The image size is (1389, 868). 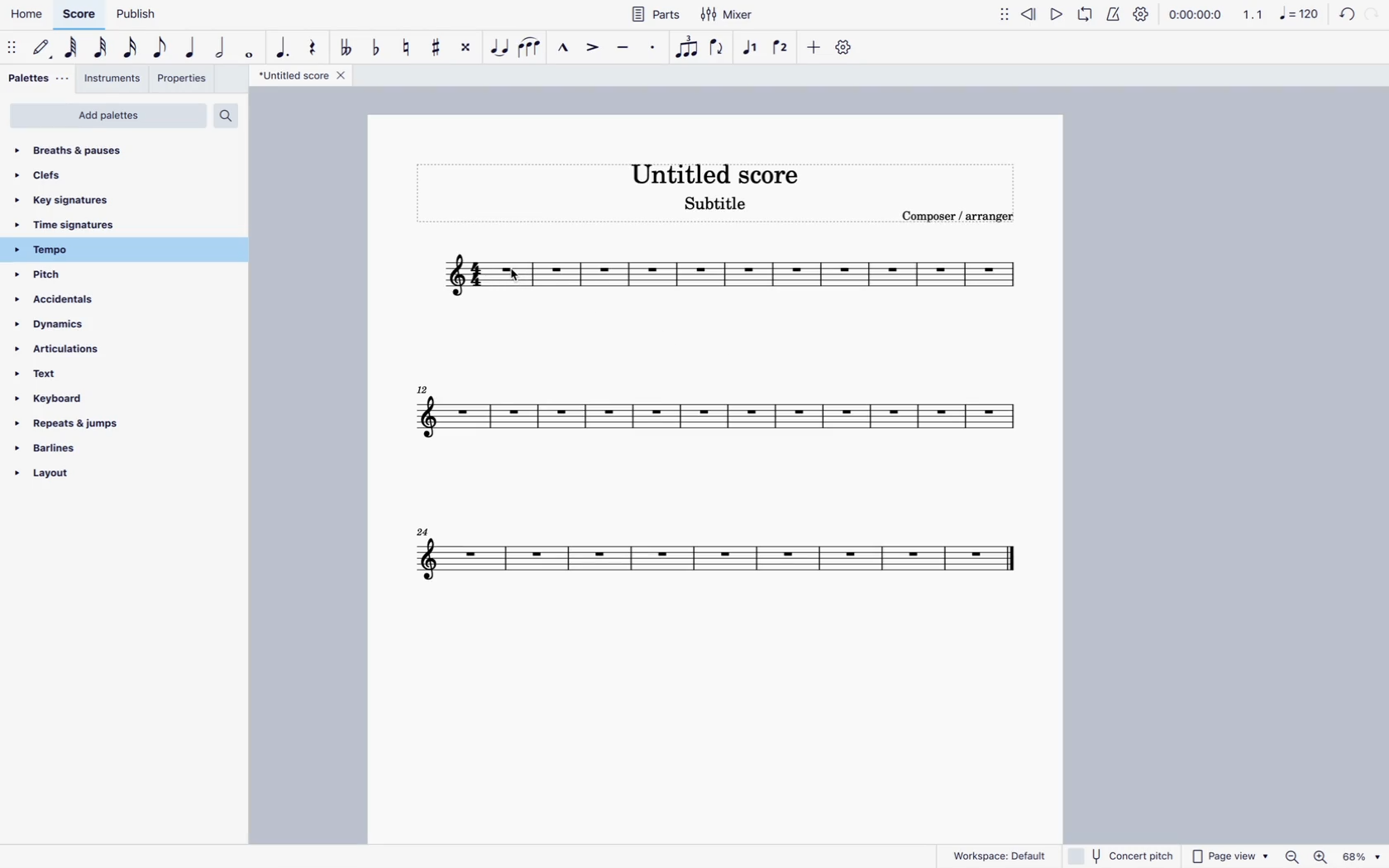 What do you see at coordinates (109, 116) in the screenshot?
I see `add palettes` at bounding box center [109, 116].